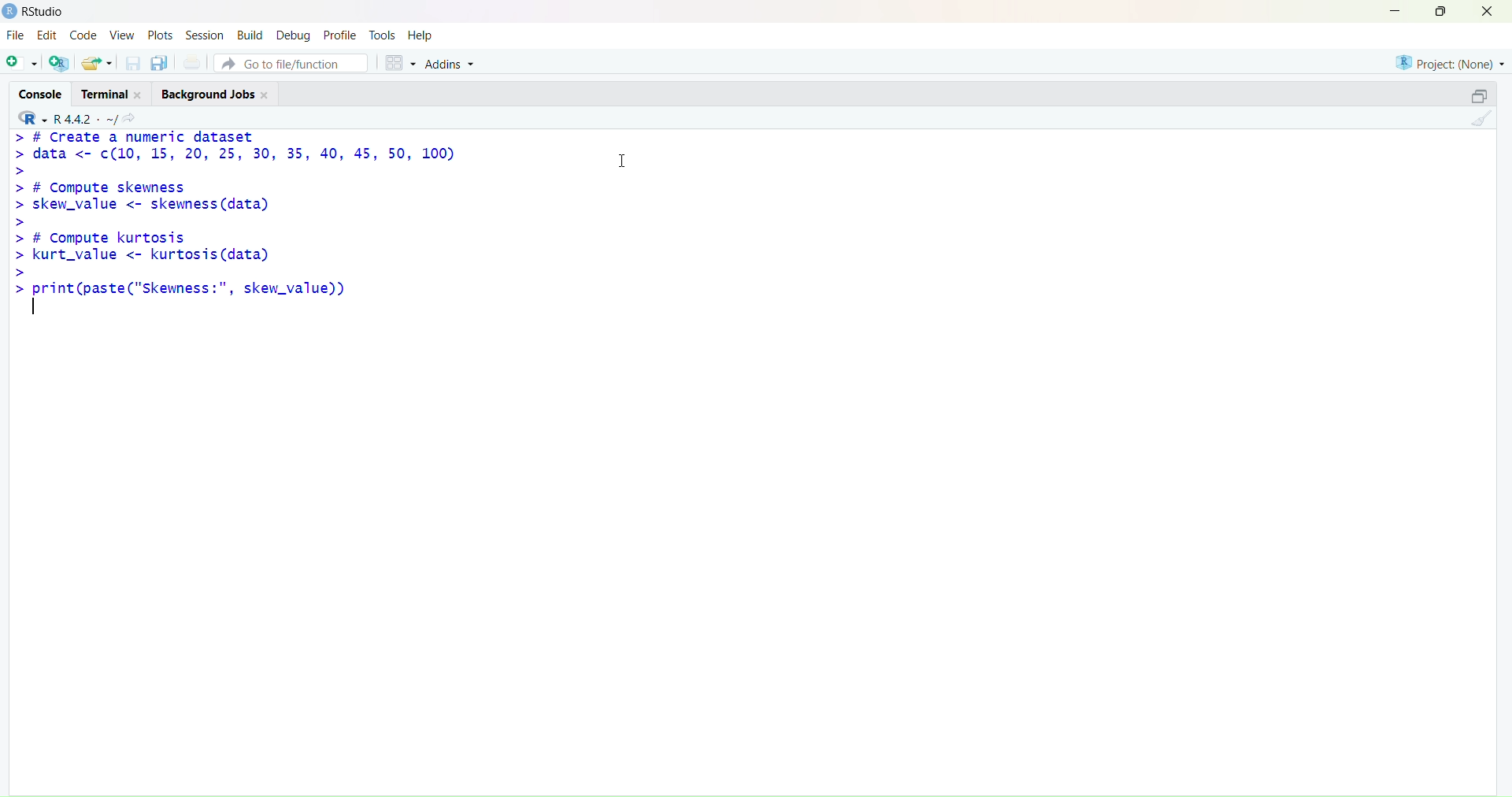 The width and height of the screenshot is (1512, 797). I want to click on Save current document (Ctrl + S), so click(132, 65).